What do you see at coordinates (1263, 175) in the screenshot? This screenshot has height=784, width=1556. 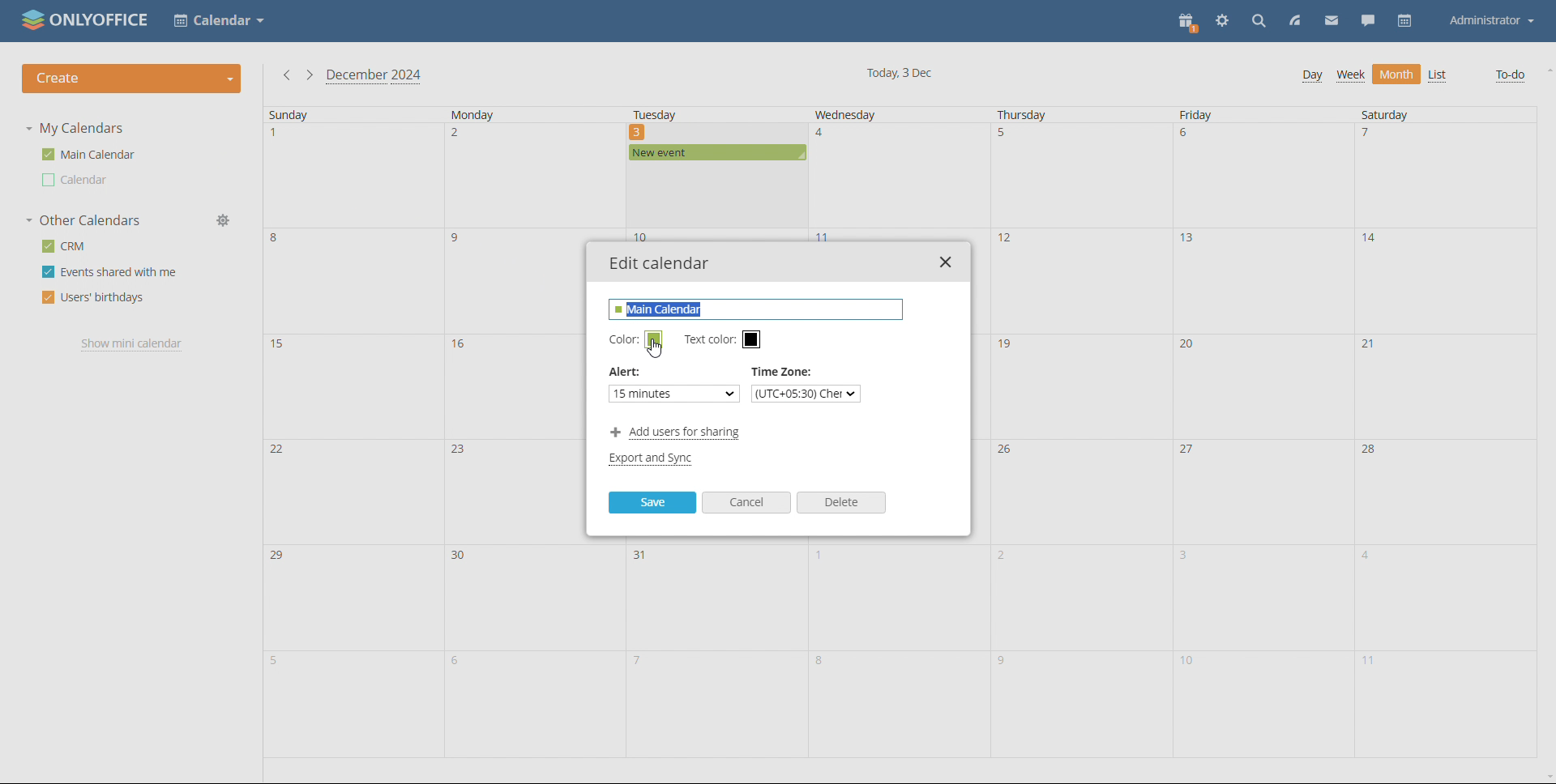 I see `date` at bounding box center [1263, 175].